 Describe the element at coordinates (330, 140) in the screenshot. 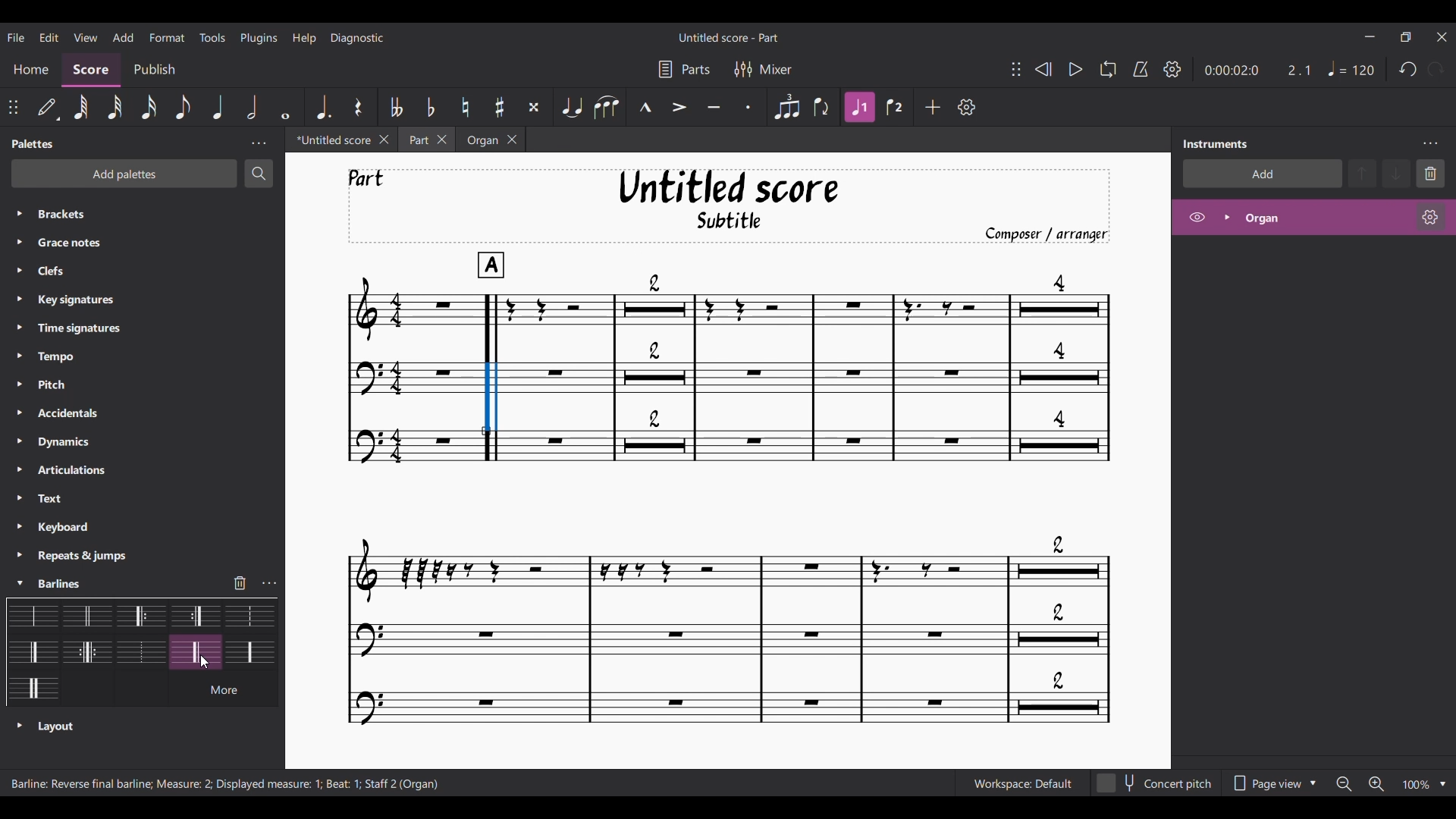

I see `Untitled tab` at that location.